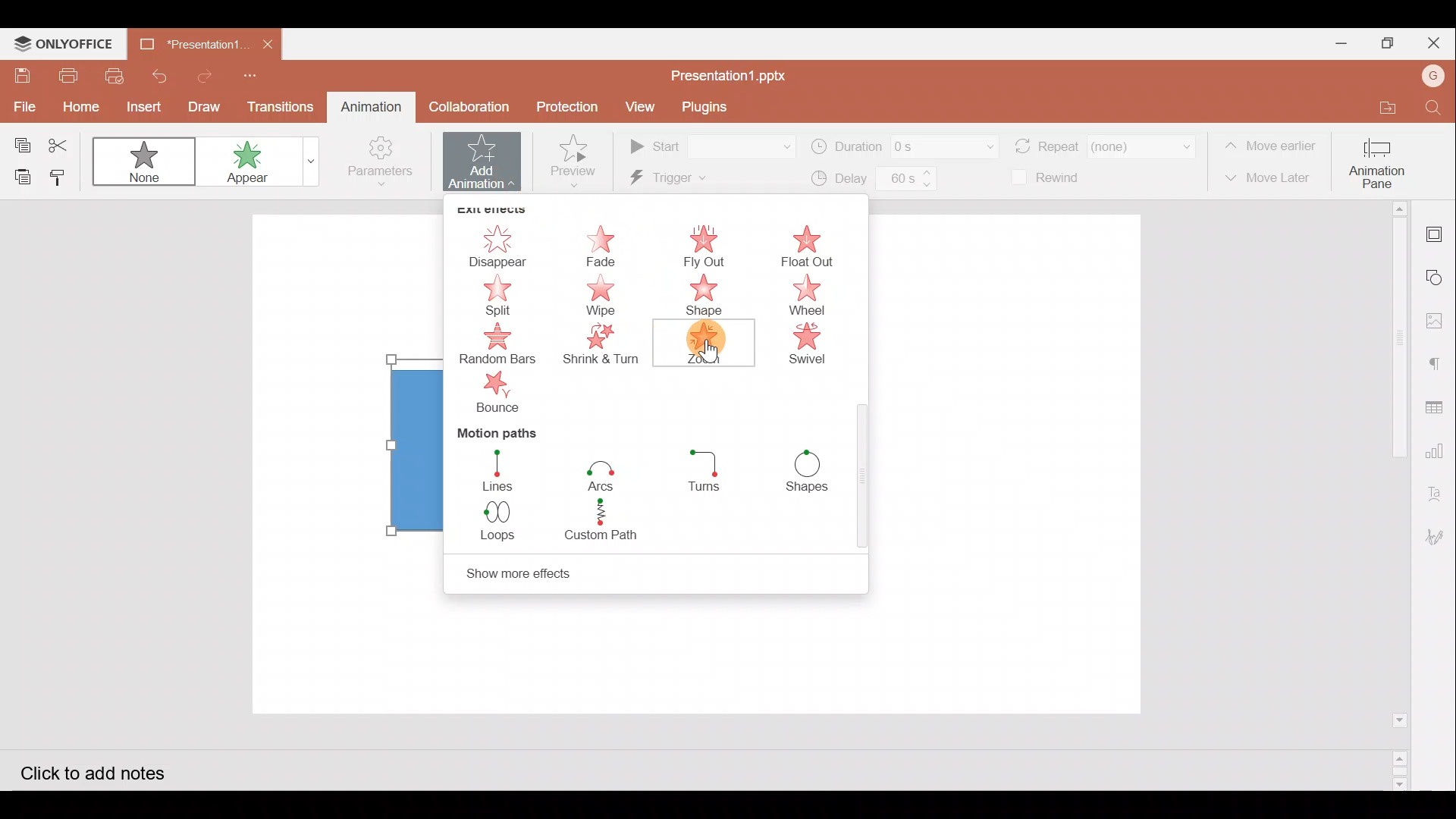 The image size is (1456, 819). Describe the element at coordinates (67, 44) in the screenshot. I see `ONLYOFFICE` at that location.